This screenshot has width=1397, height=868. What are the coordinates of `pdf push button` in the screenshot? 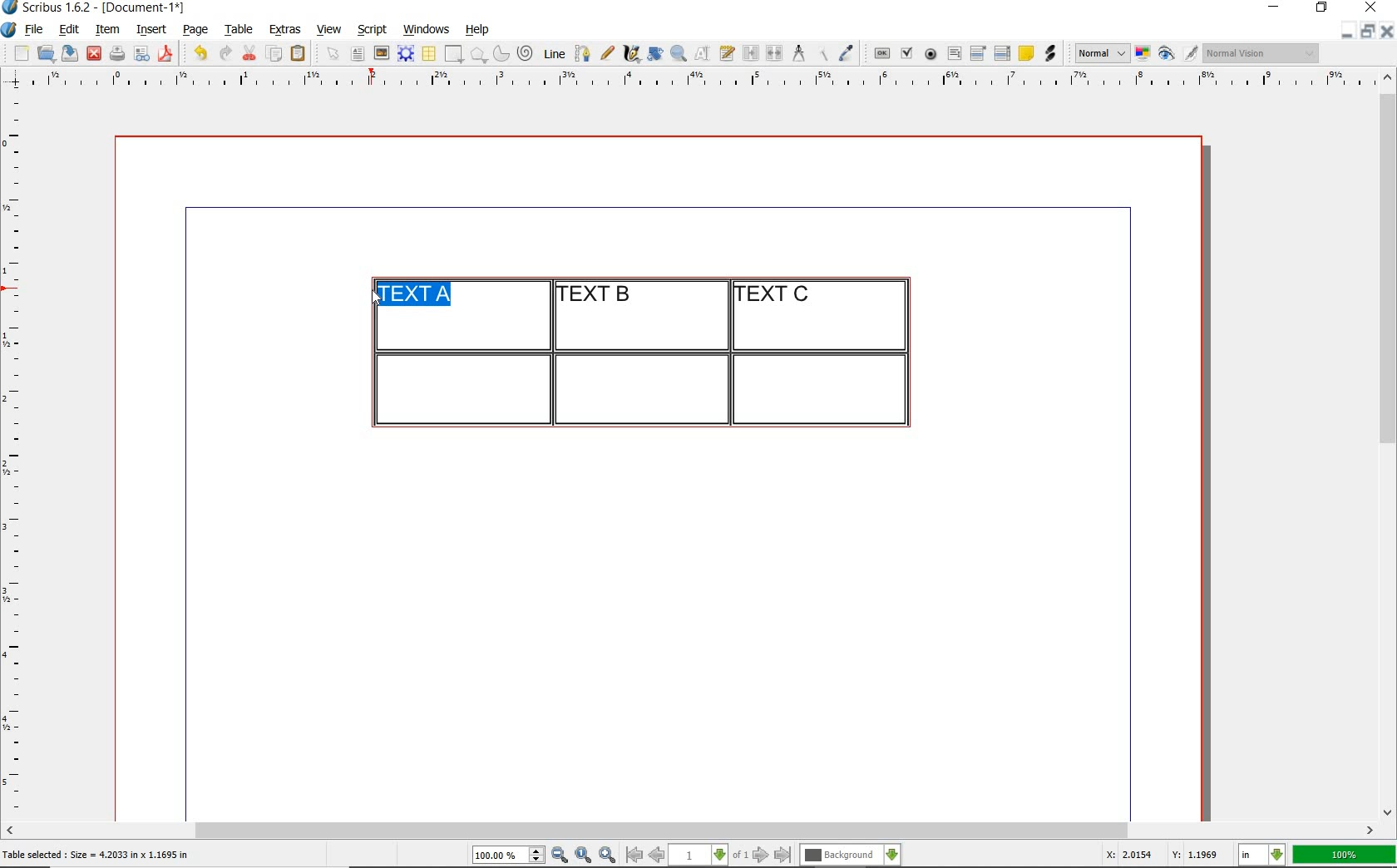 It's located at (882, 54).